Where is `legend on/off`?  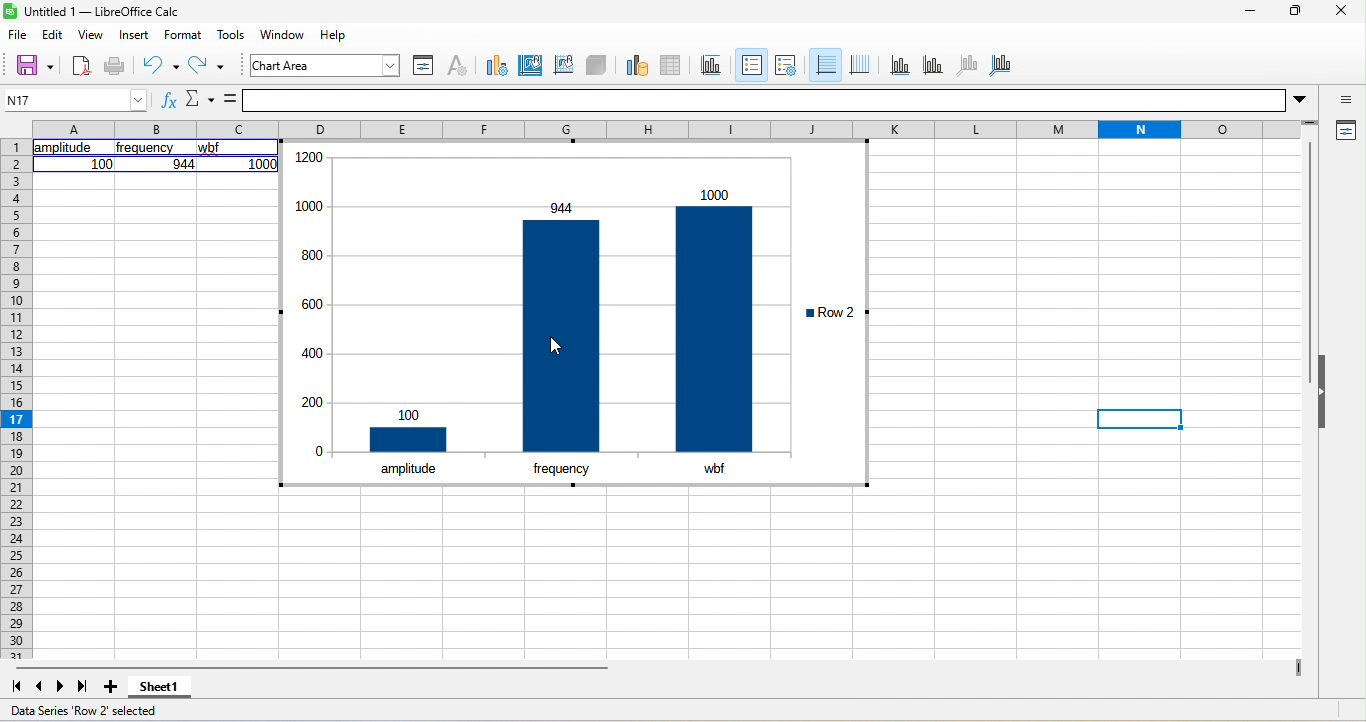
legend on/off is located at coordinates (750, 65).